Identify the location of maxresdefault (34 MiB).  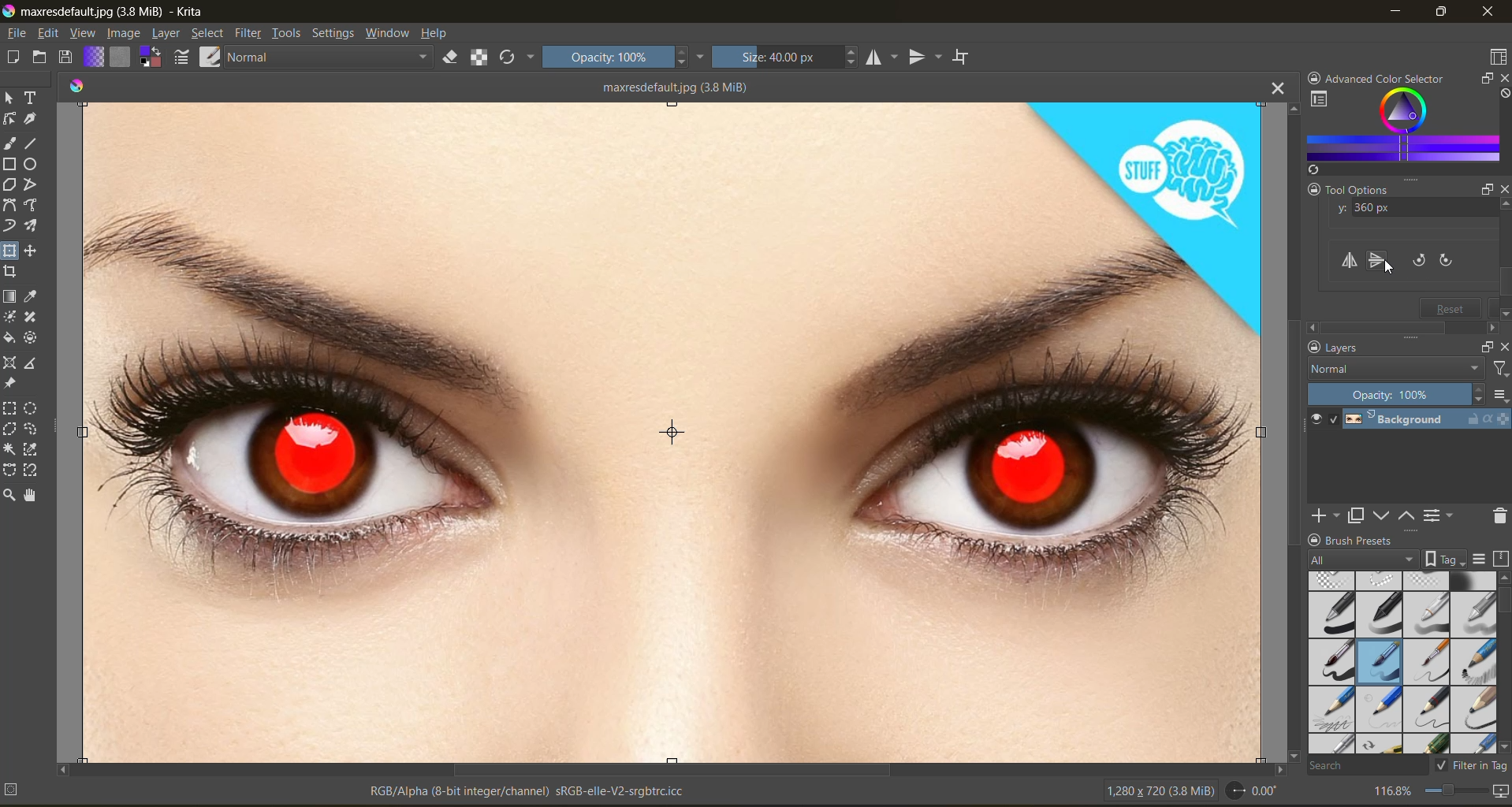
(677, 86).